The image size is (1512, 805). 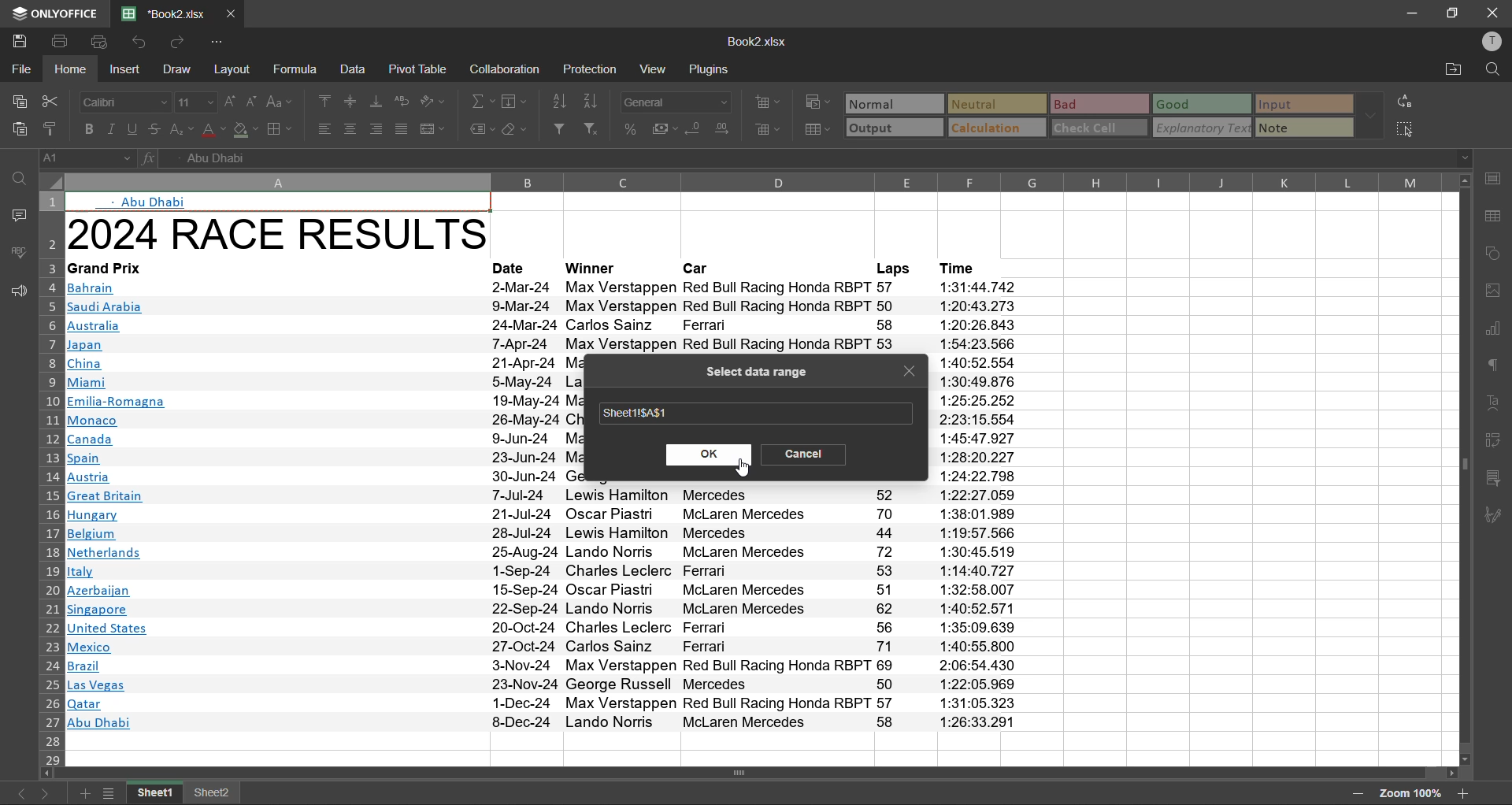 I want to click on input, so click(x=1292, y=104).